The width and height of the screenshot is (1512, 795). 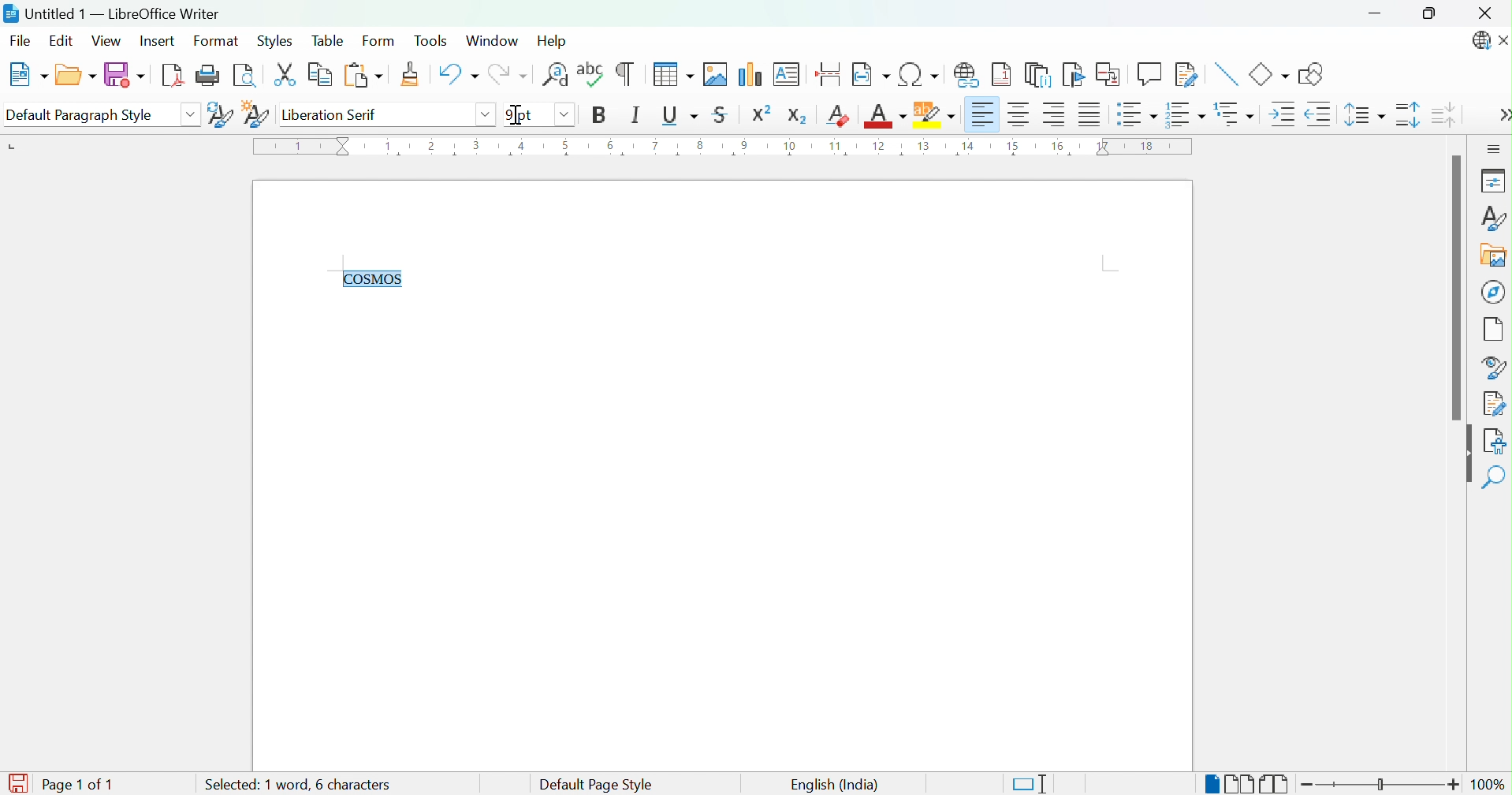 I want to click on Insert Chart, so click(x=750, y=73).